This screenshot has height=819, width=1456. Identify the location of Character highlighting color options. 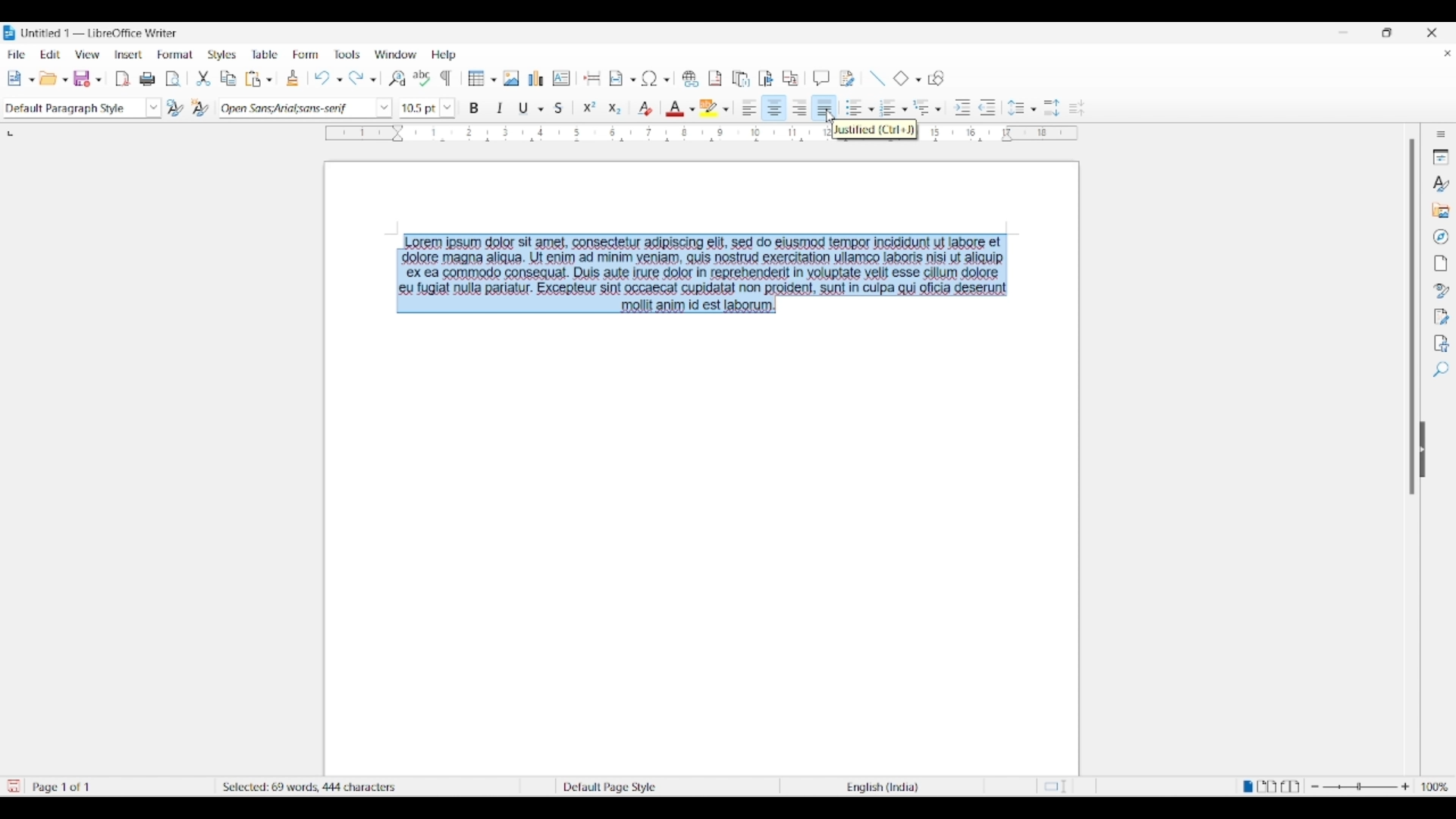
(726, 109).